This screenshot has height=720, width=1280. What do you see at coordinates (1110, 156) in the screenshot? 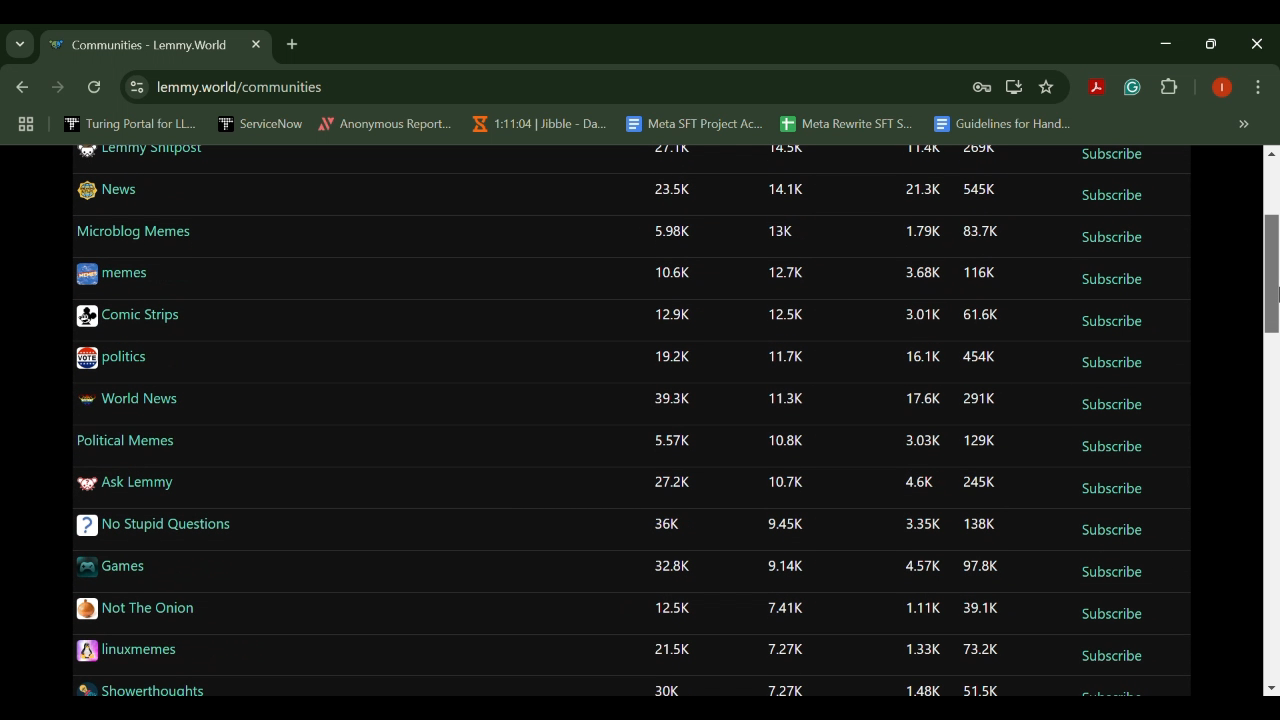
I see `Subscribe` at bounding box center [1110, 156].